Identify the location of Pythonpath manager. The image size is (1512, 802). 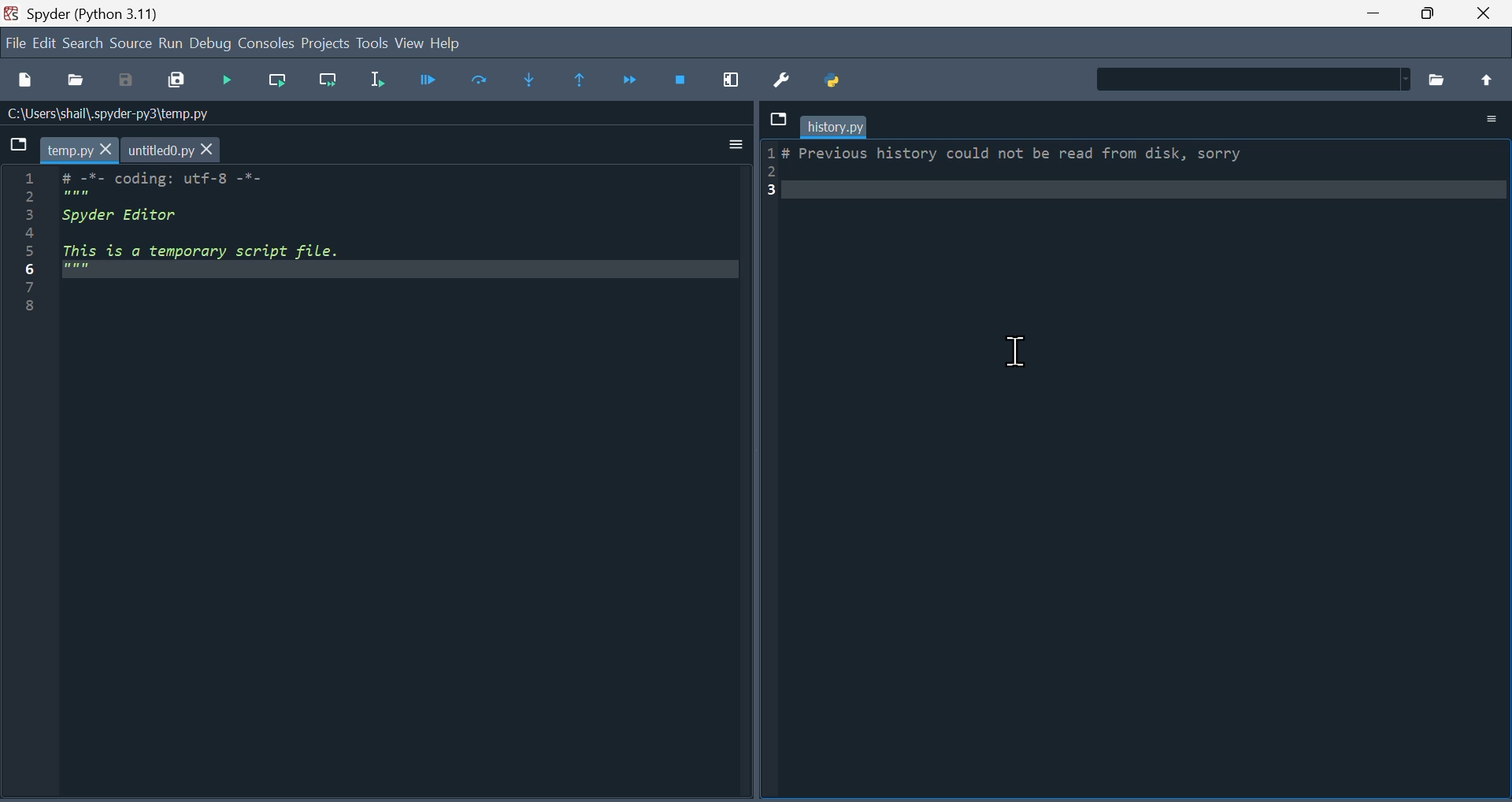
(845, 81).